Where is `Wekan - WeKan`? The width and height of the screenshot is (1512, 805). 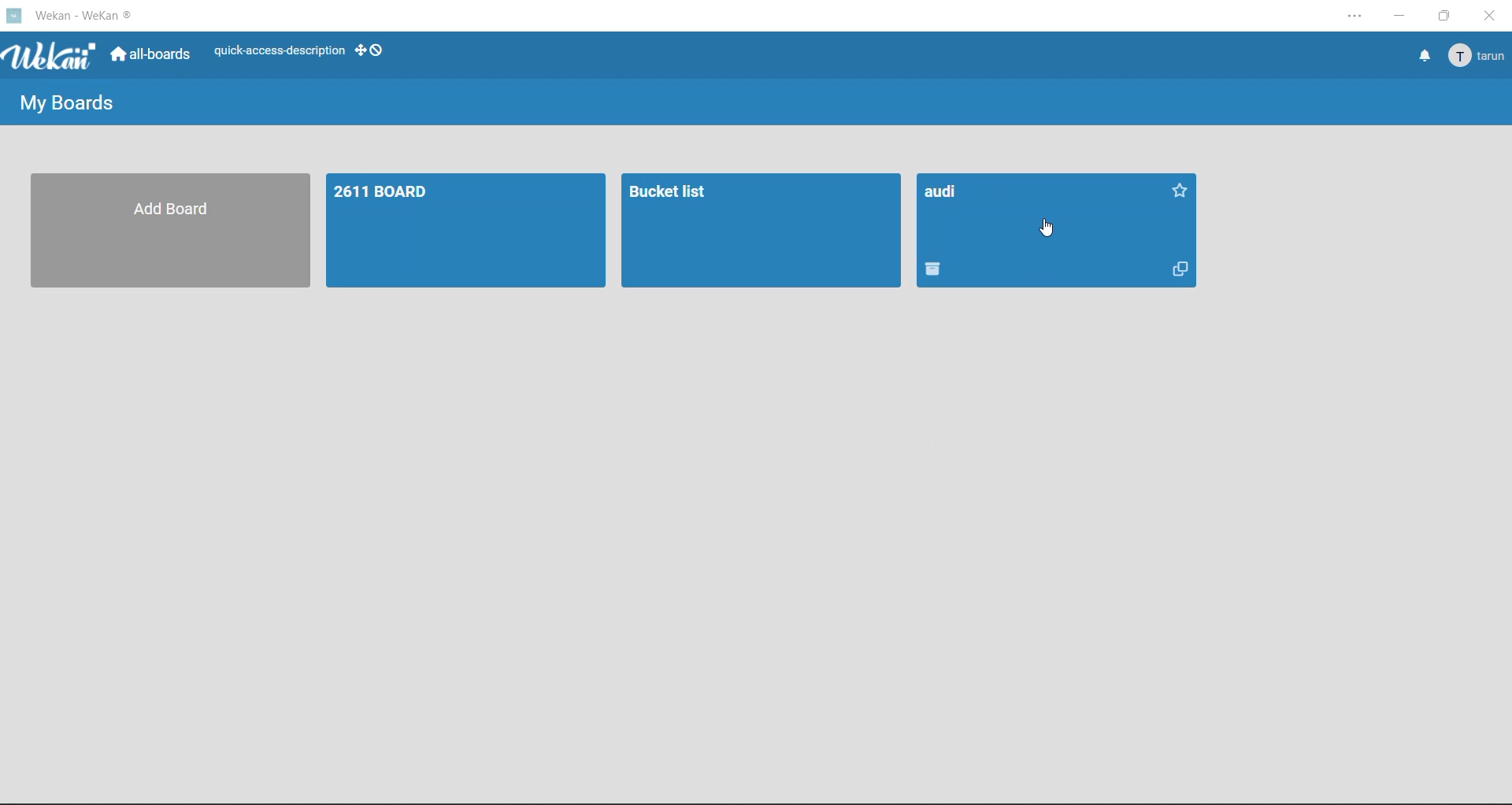 Wekan - WeKan is located at coordinates (71, 14).